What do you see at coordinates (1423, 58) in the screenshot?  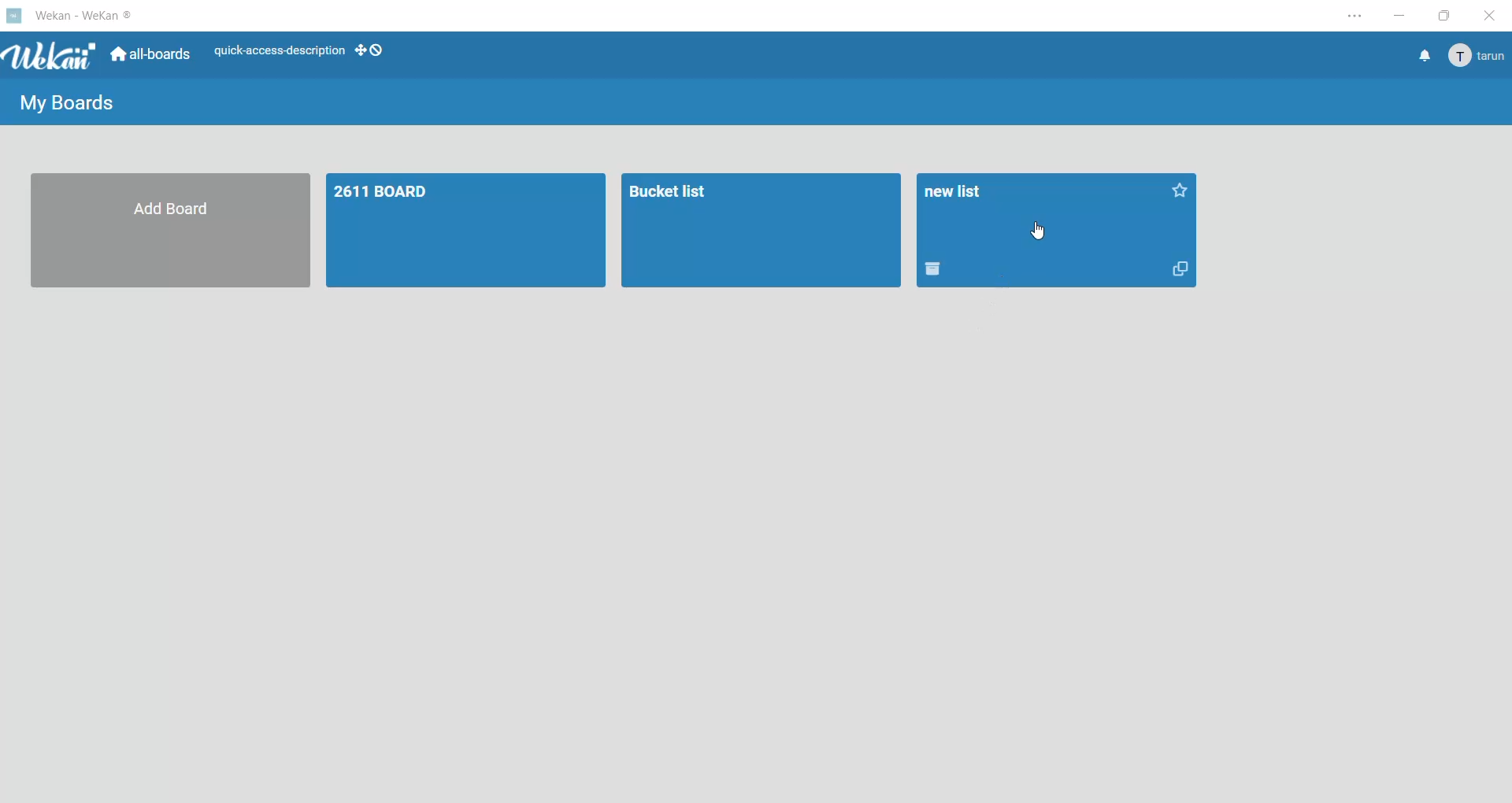 I see `notifications` at bounding box center [1423, 58].